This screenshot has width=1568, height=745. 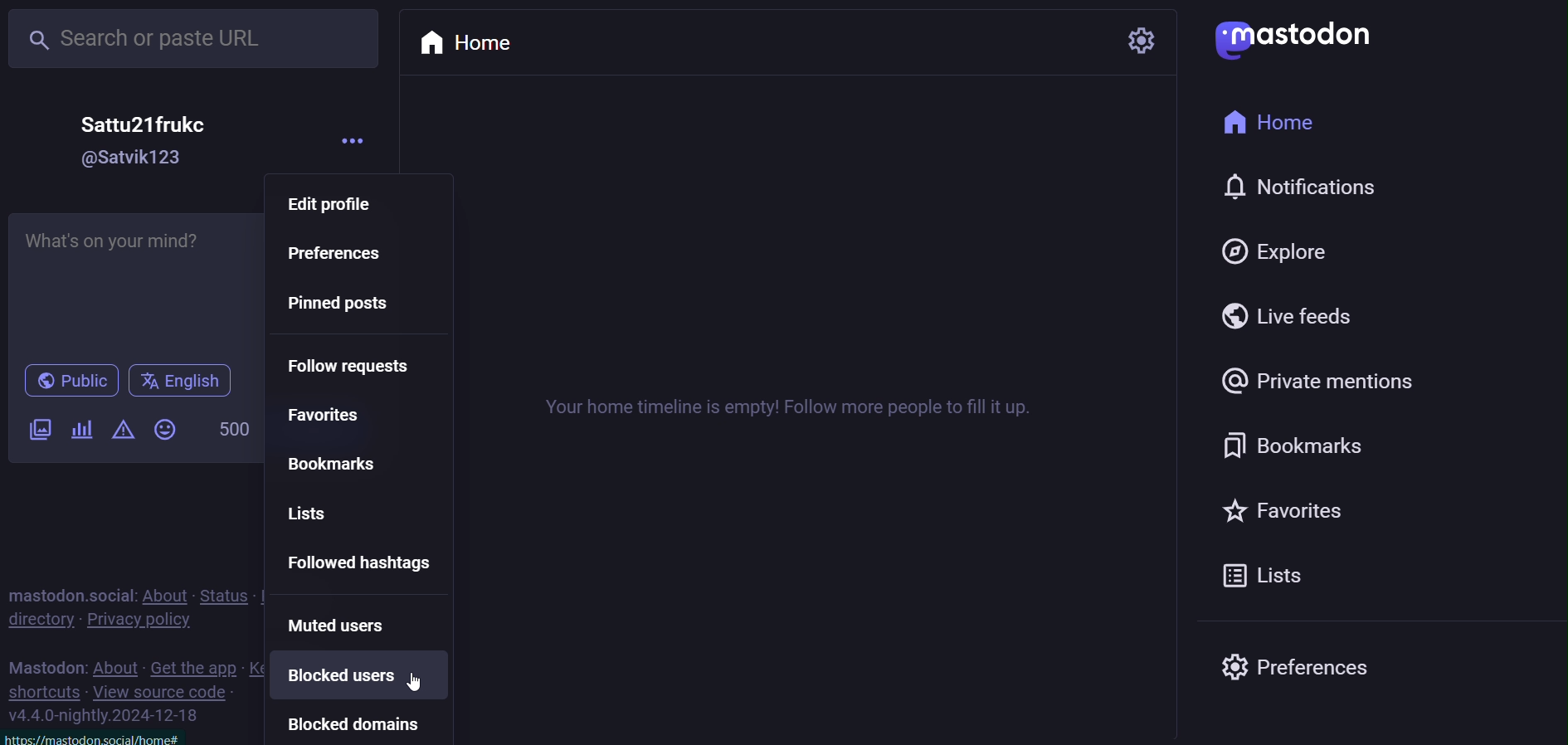 I want to click on follow requests, so click(x=361, y=368).